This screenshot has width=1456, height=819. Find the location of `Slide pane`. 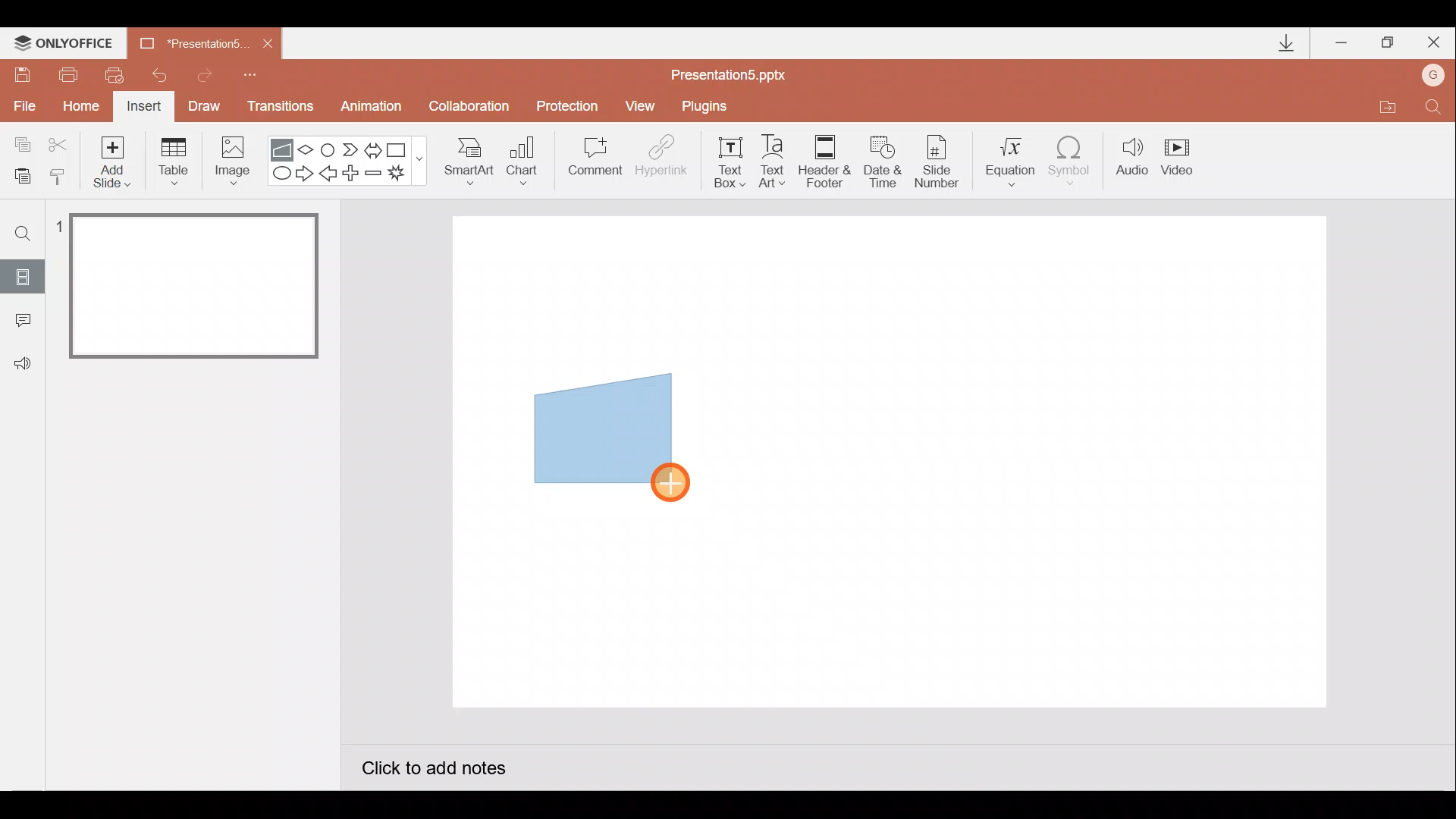

Slide pane is located at coordinates (196, 439).